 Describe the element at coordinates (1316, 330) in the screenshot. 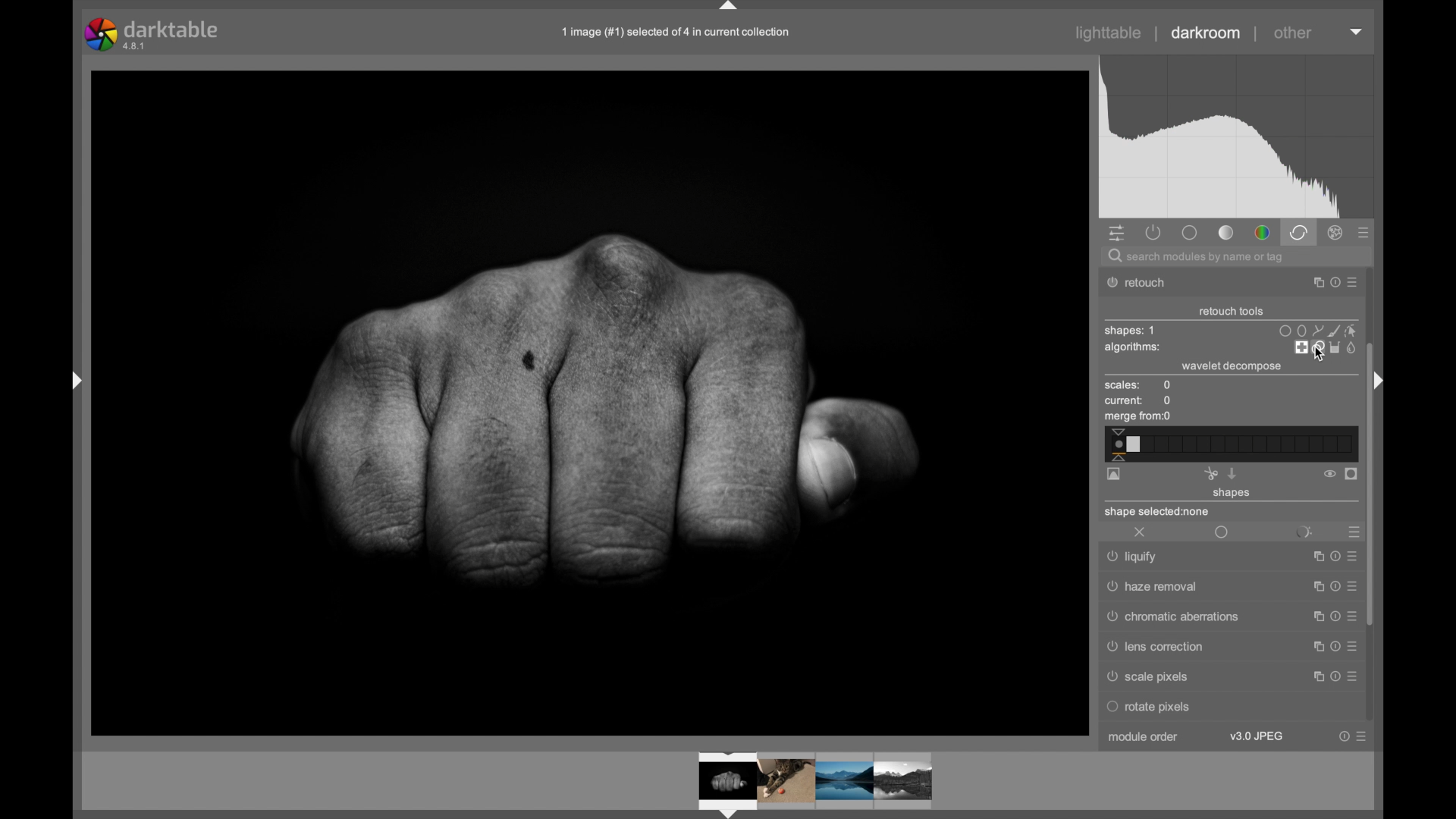

I see `draw mask options` at that location.